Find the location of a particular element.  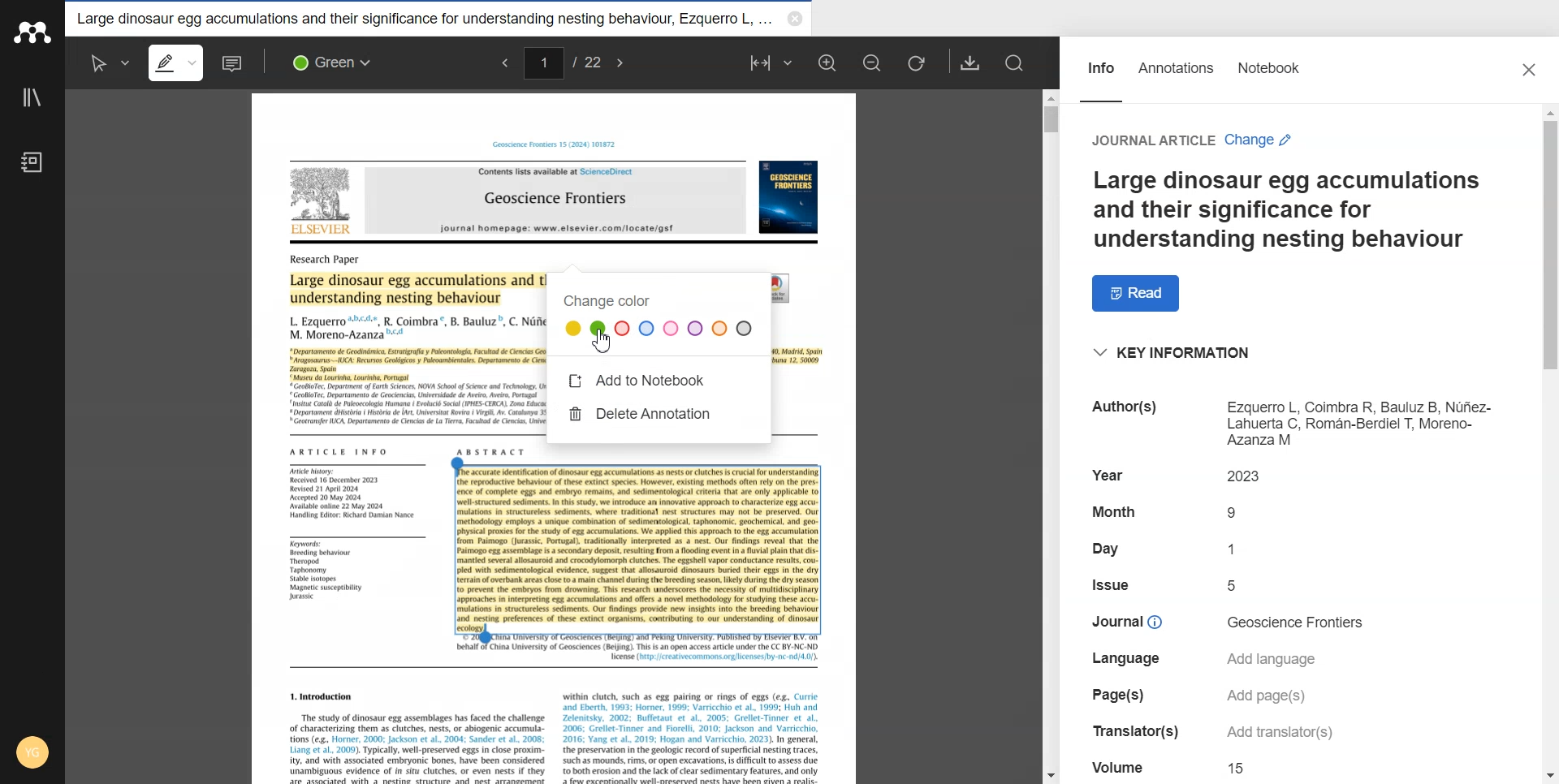

Sticky note is located at coordinates (234, 63).